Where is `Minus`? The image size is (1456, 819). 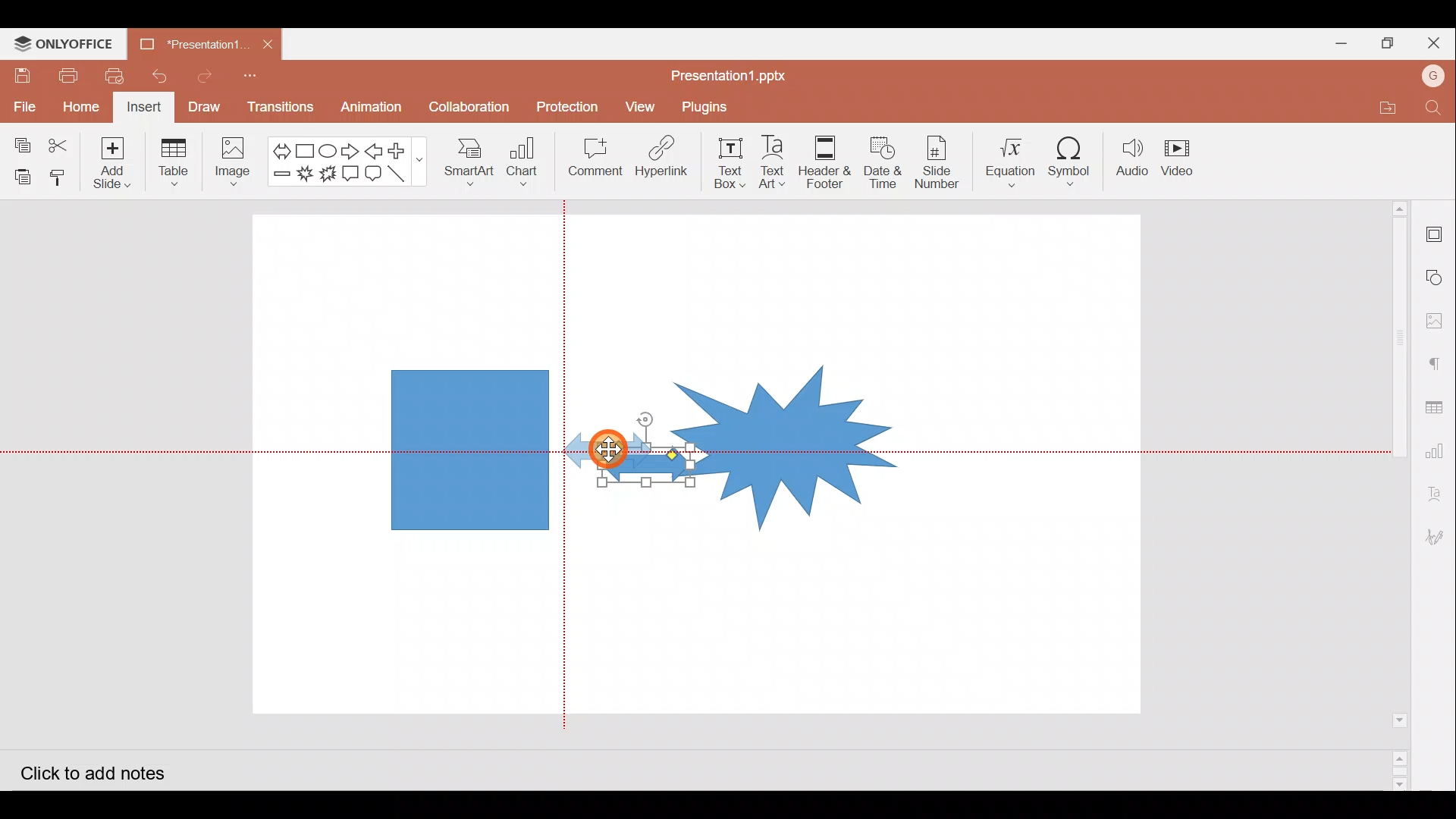
Minus is located at coordinates (279, 177).